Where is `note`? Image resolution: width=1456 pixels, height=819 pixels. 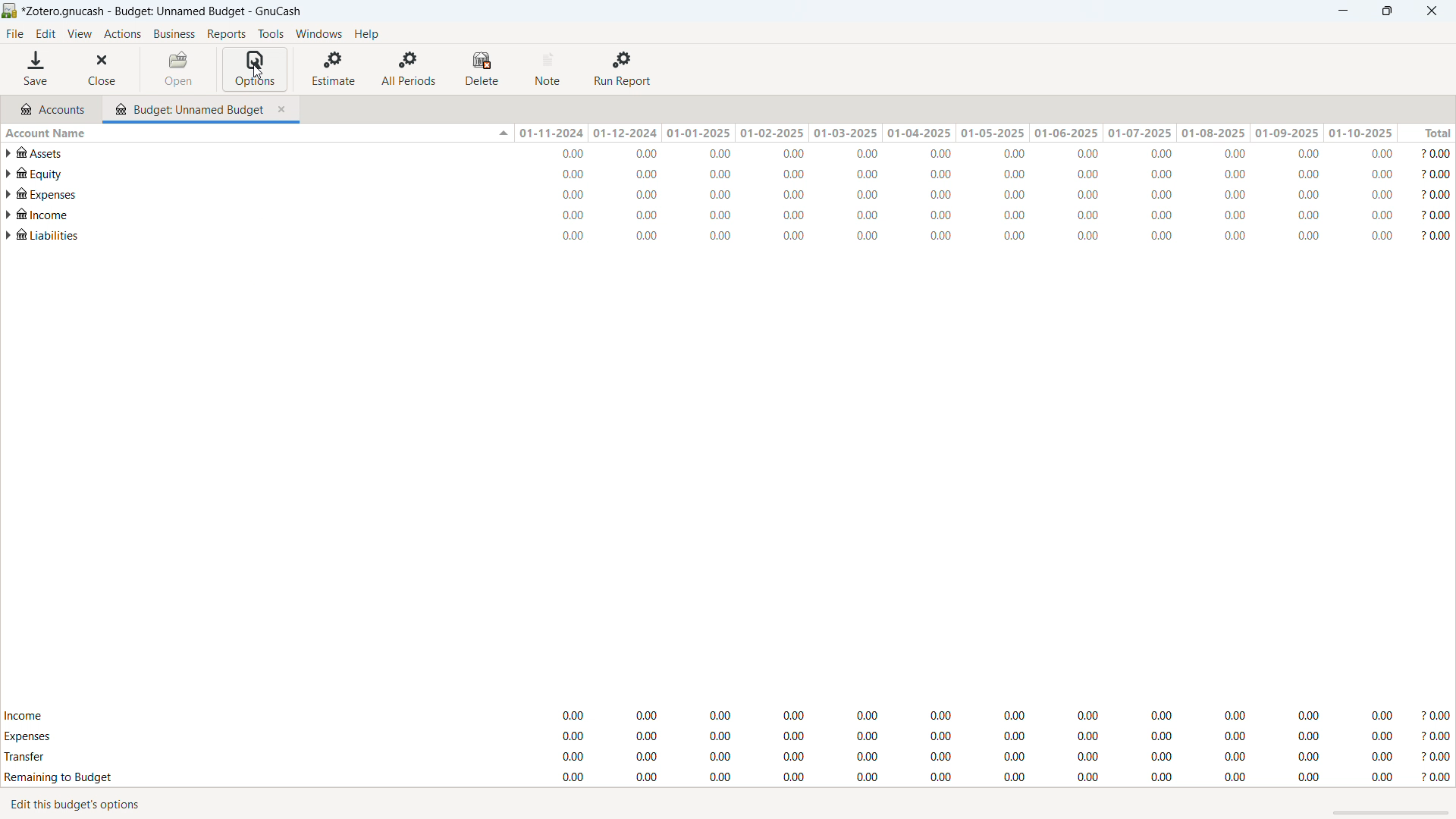 note is located at coordinates (550, 69).